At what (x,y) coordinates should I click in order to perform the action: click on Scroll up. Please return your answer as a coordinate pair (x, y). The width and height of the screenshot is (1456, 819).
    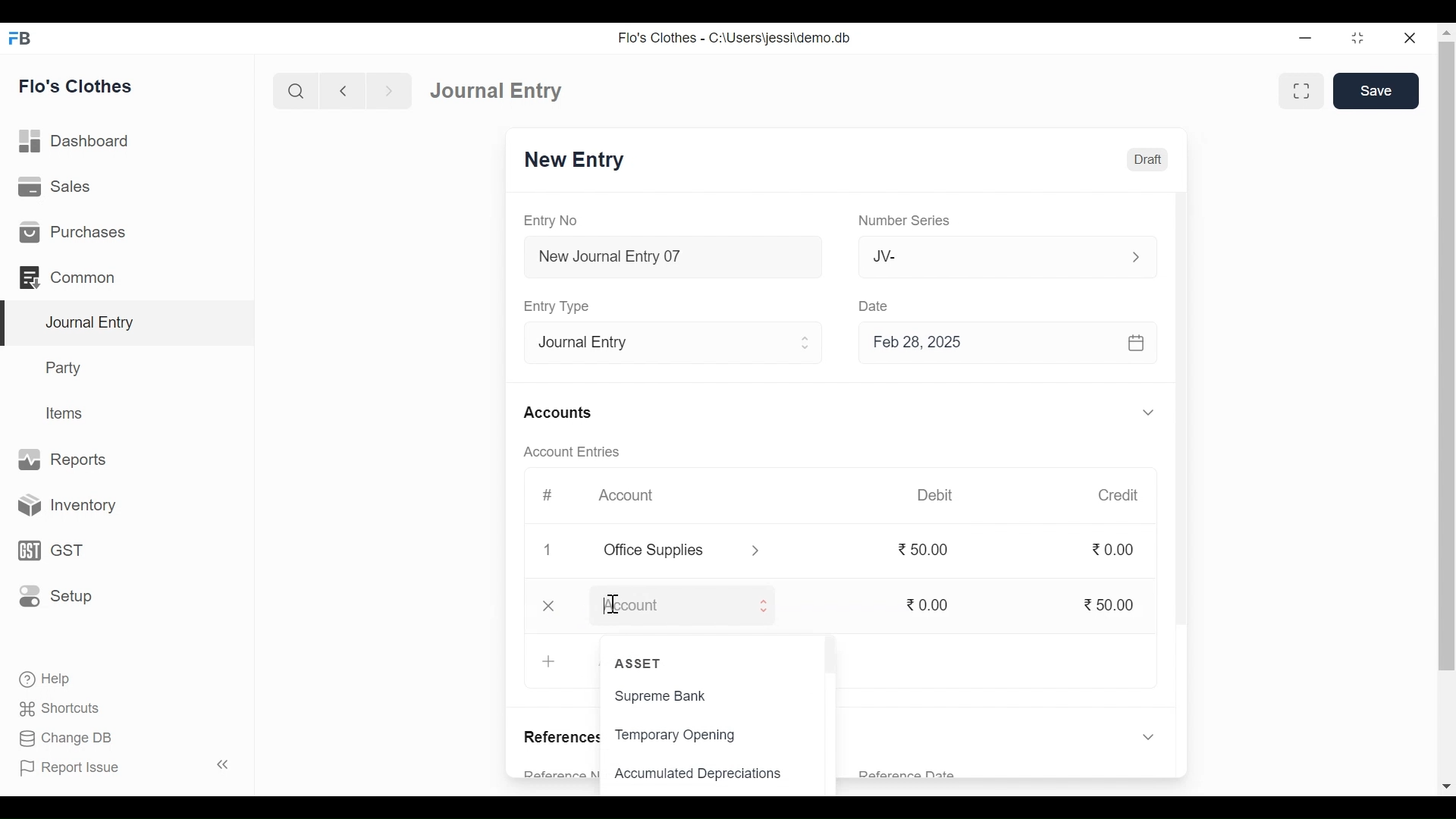
    Looking at the image, I should click on (1446, 33).